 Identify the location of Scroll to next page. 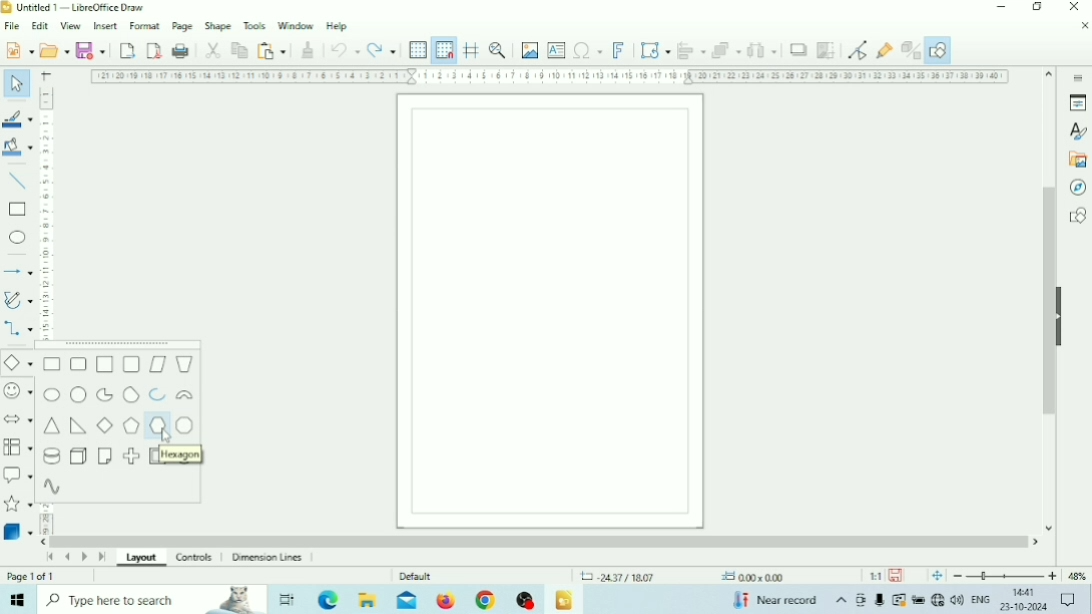
(85, 557).